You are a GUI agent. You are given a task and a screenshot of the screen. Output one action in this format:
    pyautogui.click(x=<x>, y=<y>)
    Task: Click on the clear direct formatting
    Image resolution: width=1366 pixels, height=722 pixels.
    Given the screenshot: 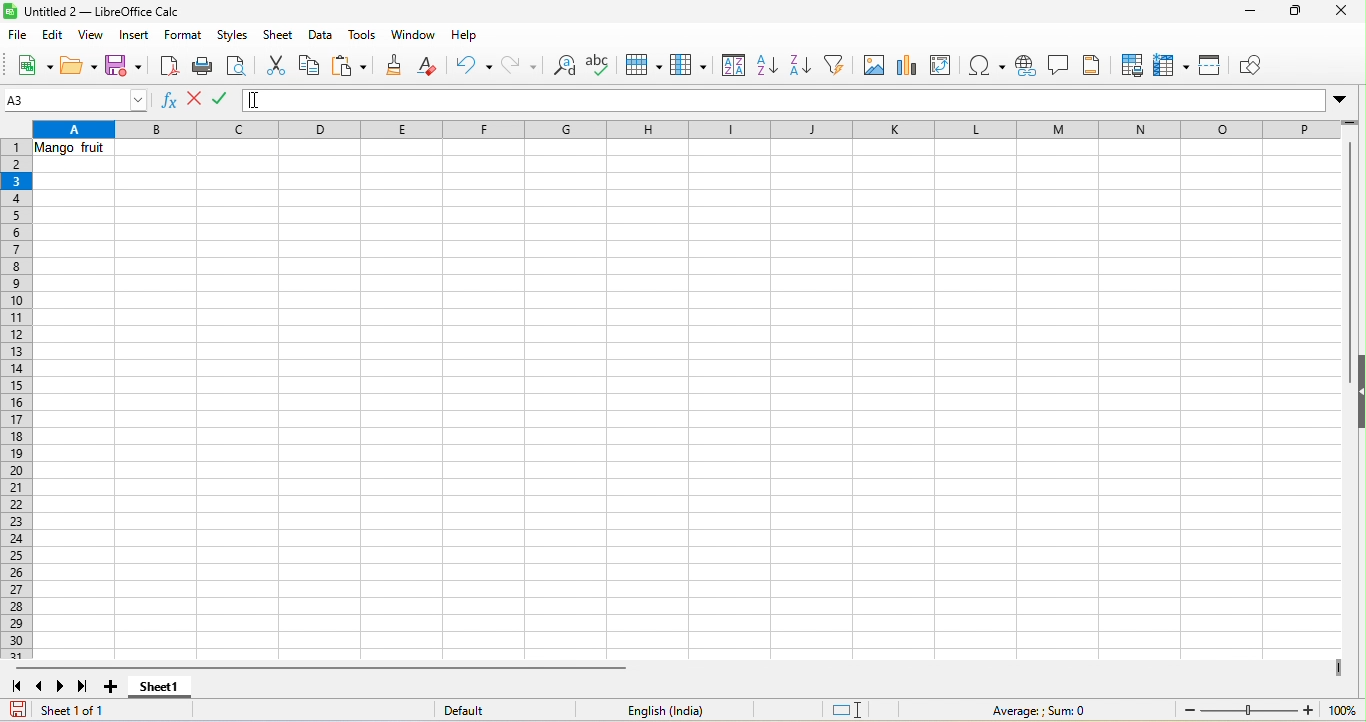 What is the action you would take?
    pyautogui.click(x=430, y=68)
    